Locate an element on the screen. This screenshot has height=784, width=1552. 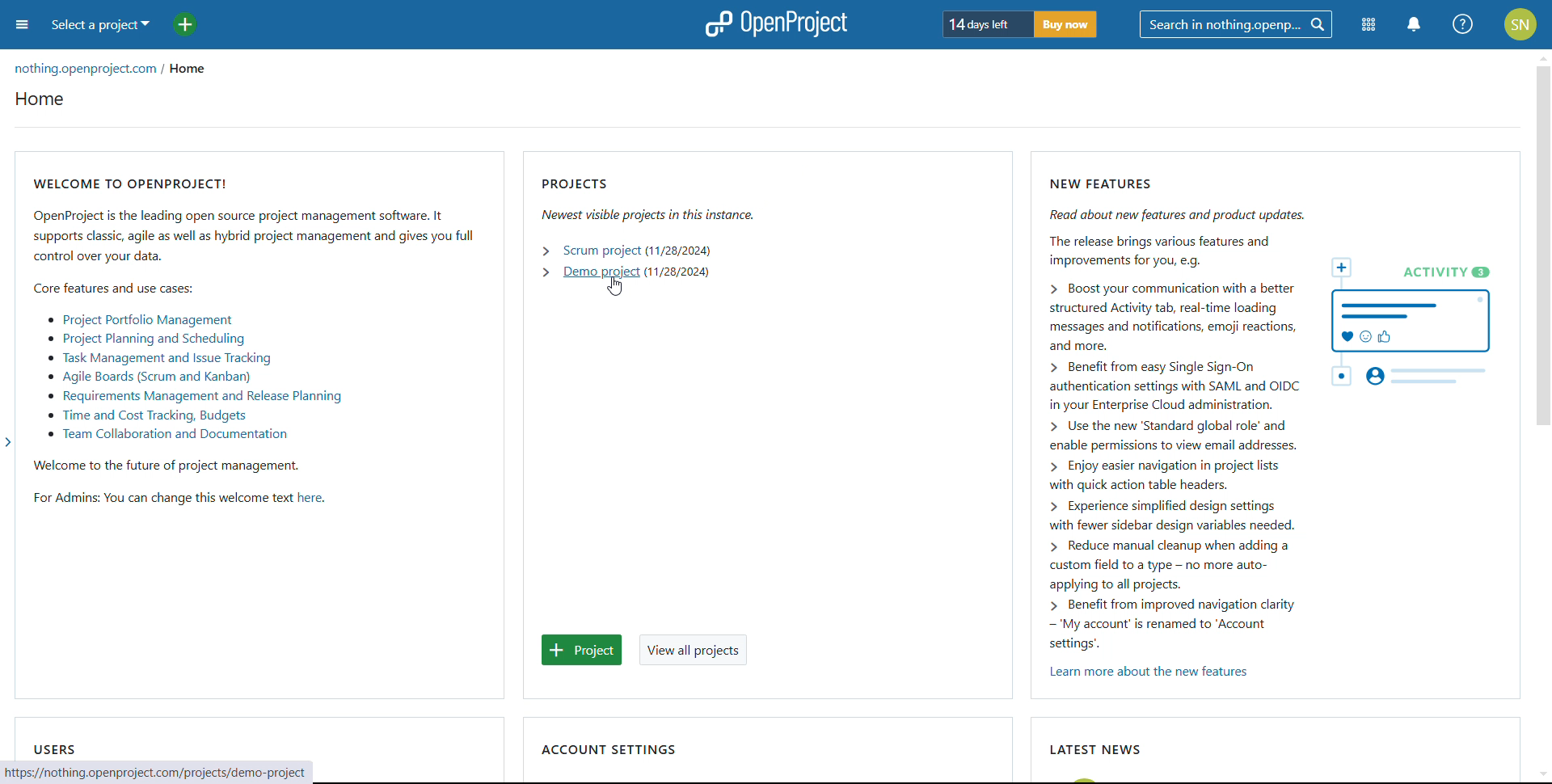
home is located at coordinates (211, 69).